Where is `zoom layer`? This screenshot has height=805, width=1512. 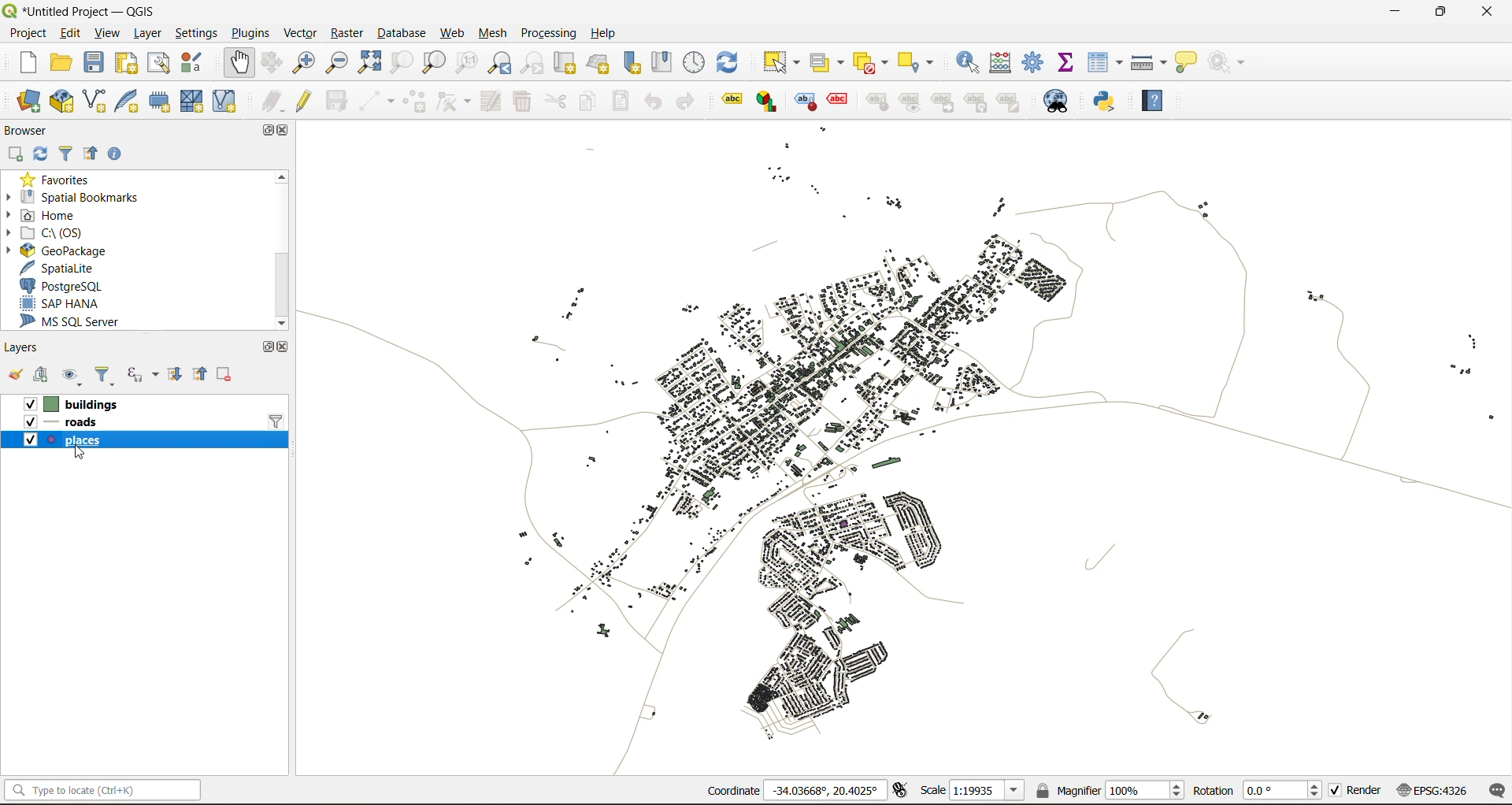 zoom layer is located at coordinates (434, 62).